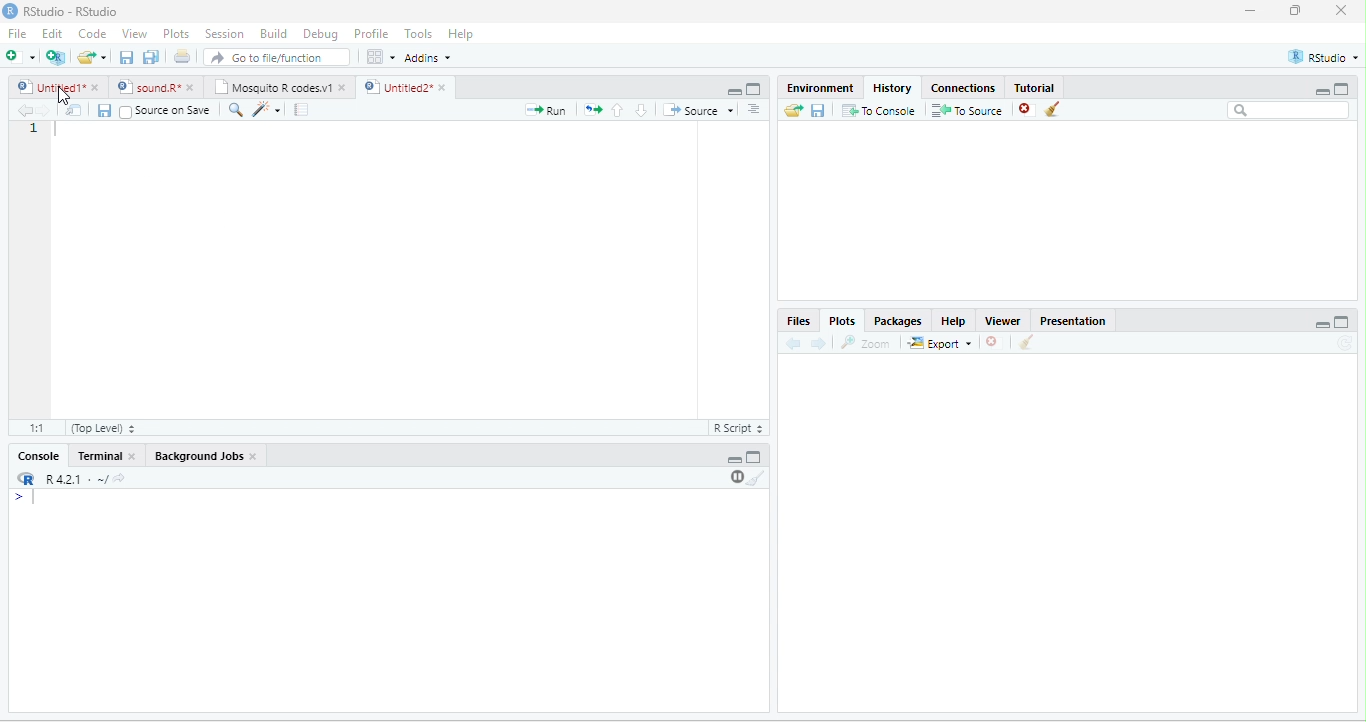 This screenshot has width=1366, height=722. What do you see at coordinates (103, 429) in the screenshot?
I see `Top Level` at bounding box center [103, 429].